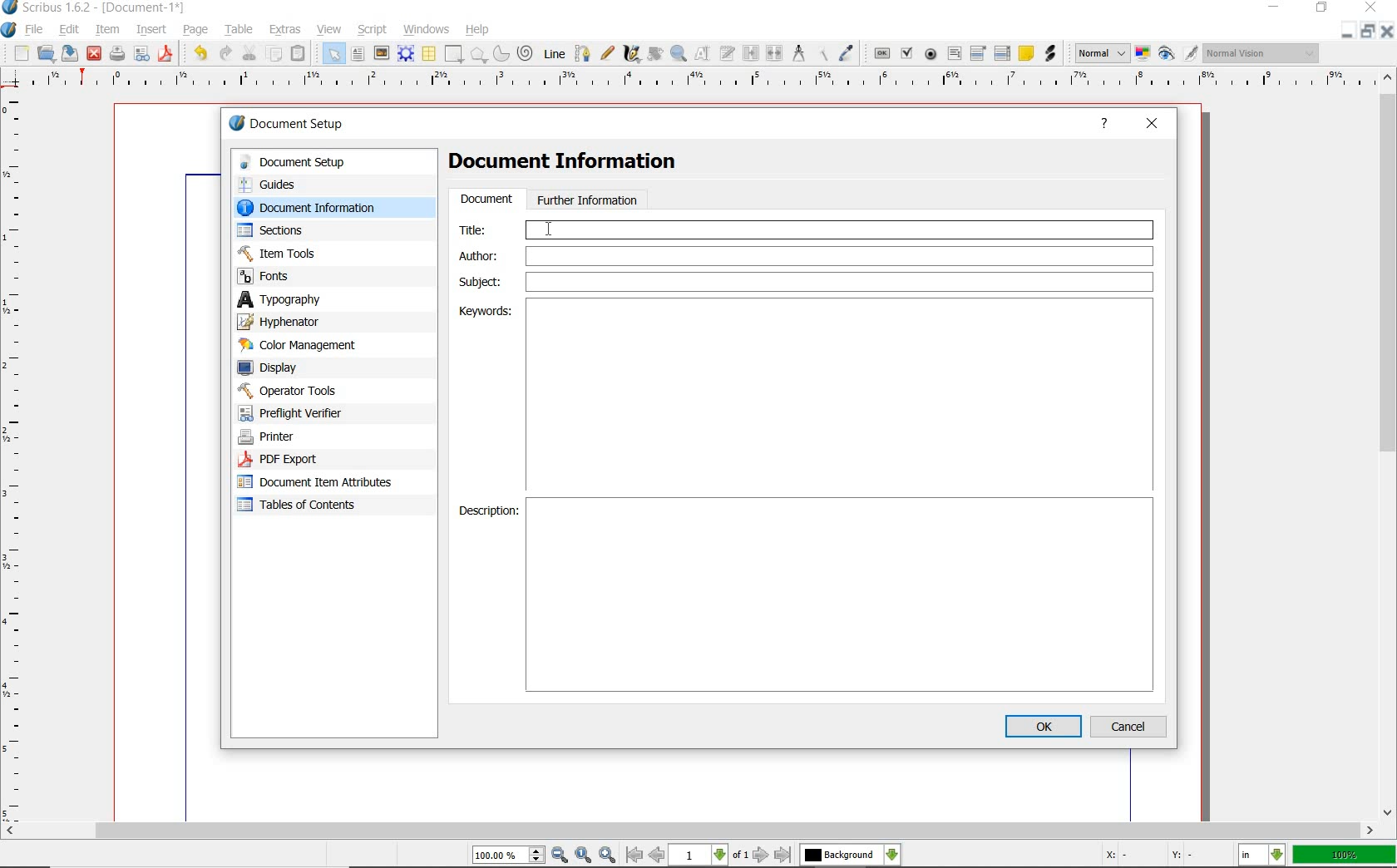  Describe the element at coordinates (1389, 29) in the screenshot. I see `close` at that location.